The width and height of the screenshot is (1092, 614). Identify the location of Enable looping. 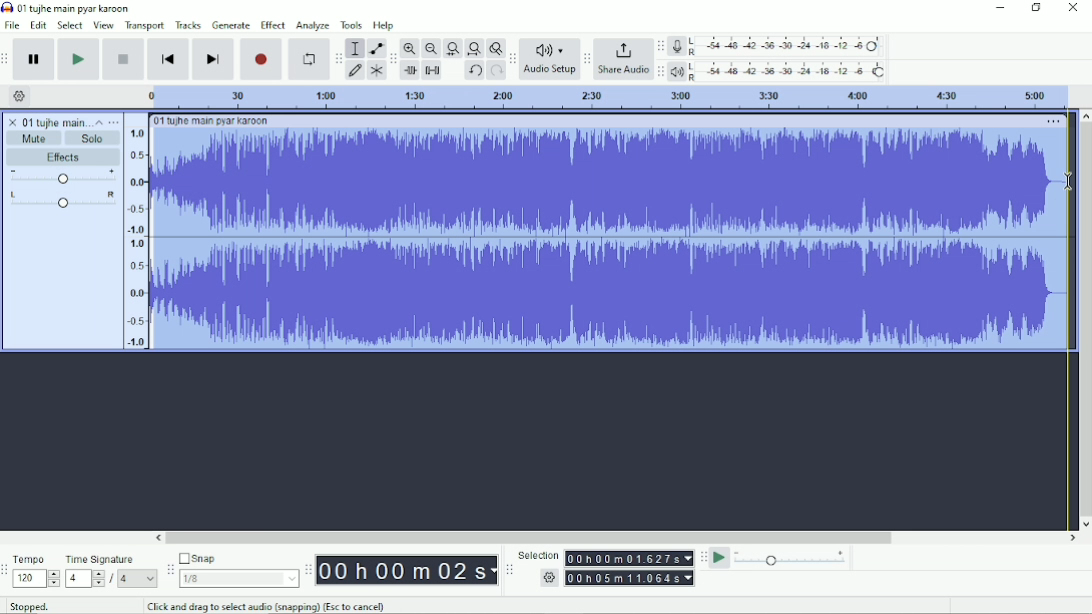
(309, 59).